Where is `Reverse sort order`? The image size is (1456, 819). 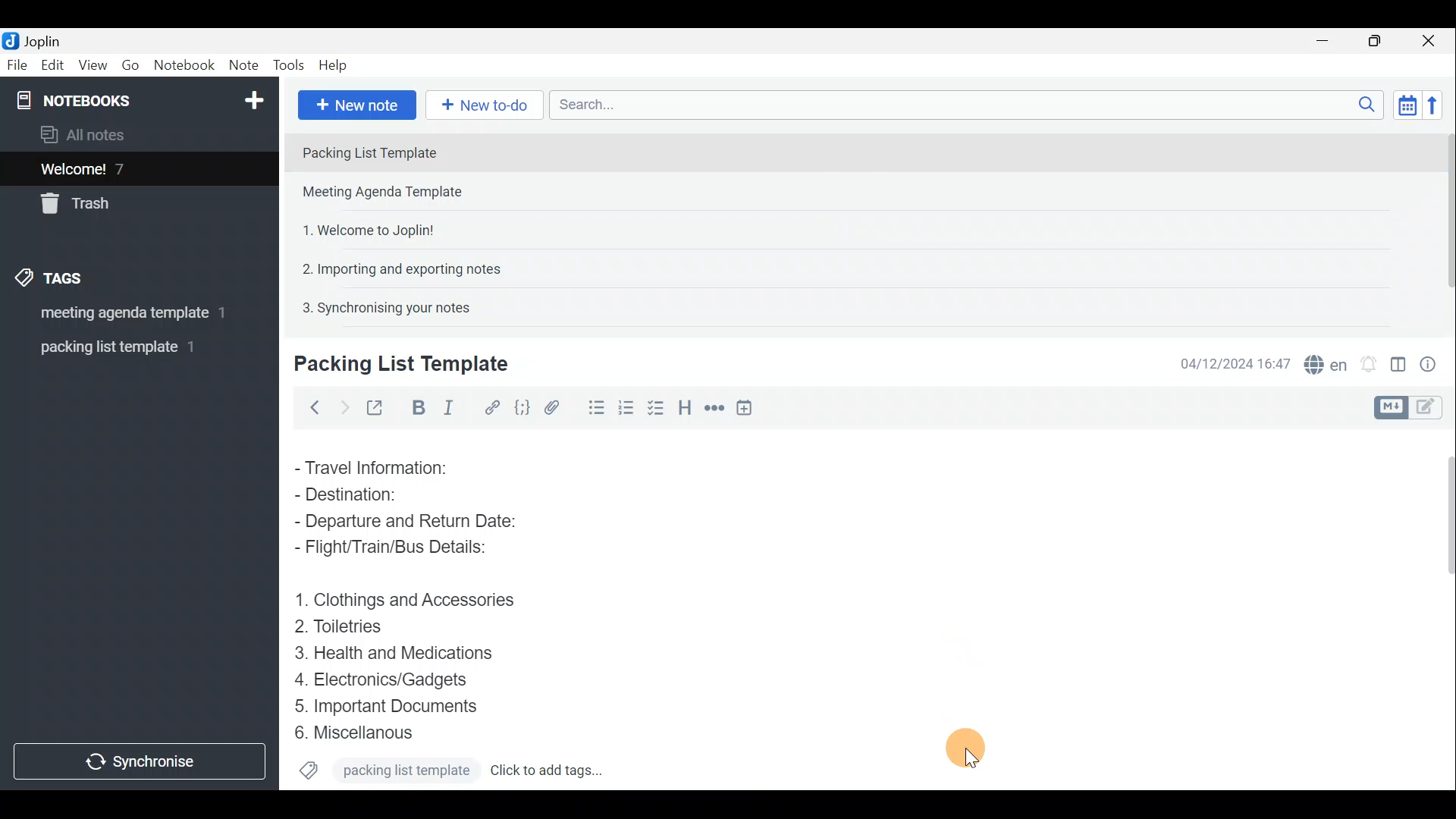 Reverse sort order is located at coordinates (1438, 104).